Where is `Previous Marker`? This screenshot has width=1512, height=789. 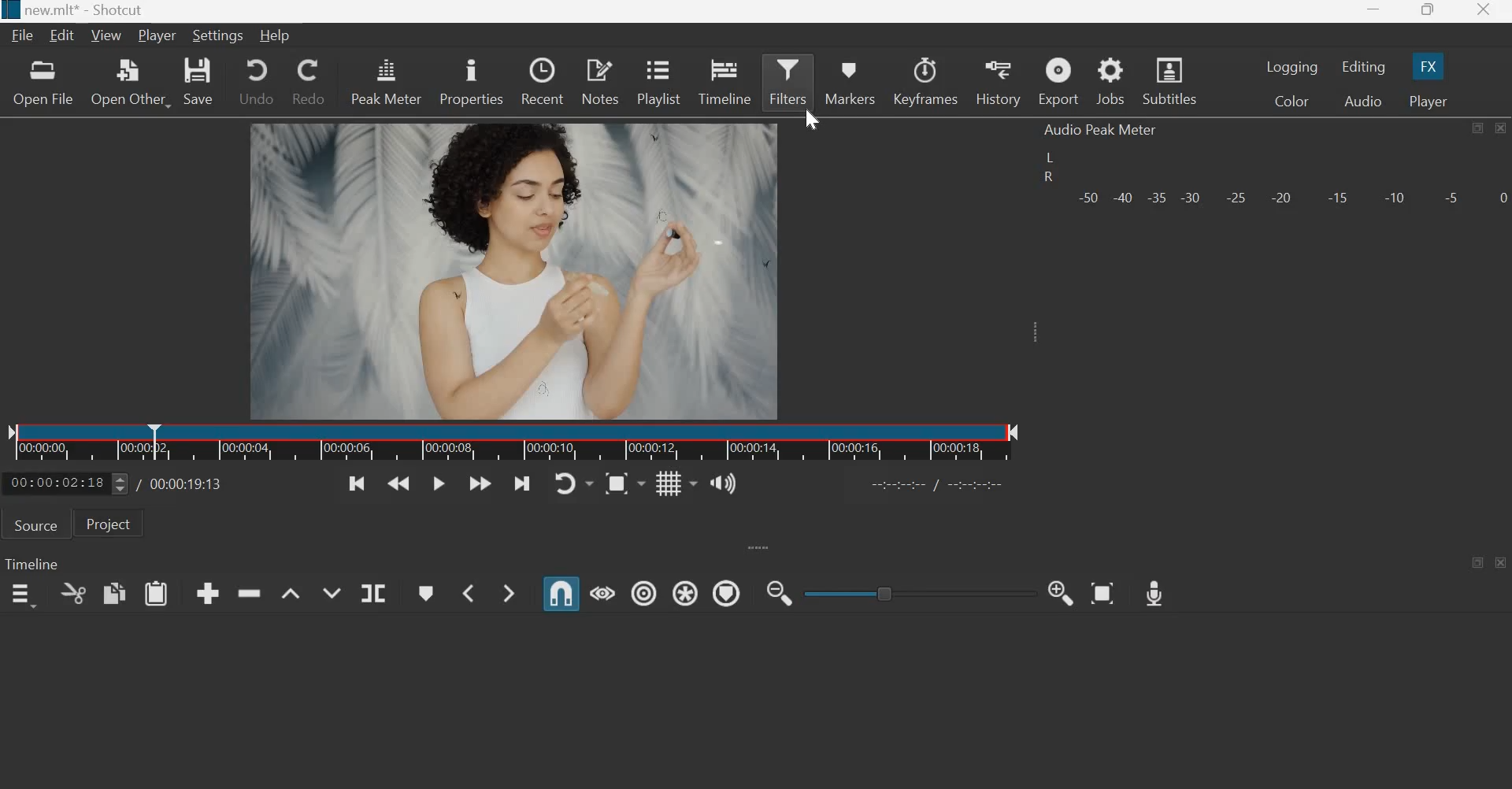
Previous Marker is located at coordinates (465, 592).